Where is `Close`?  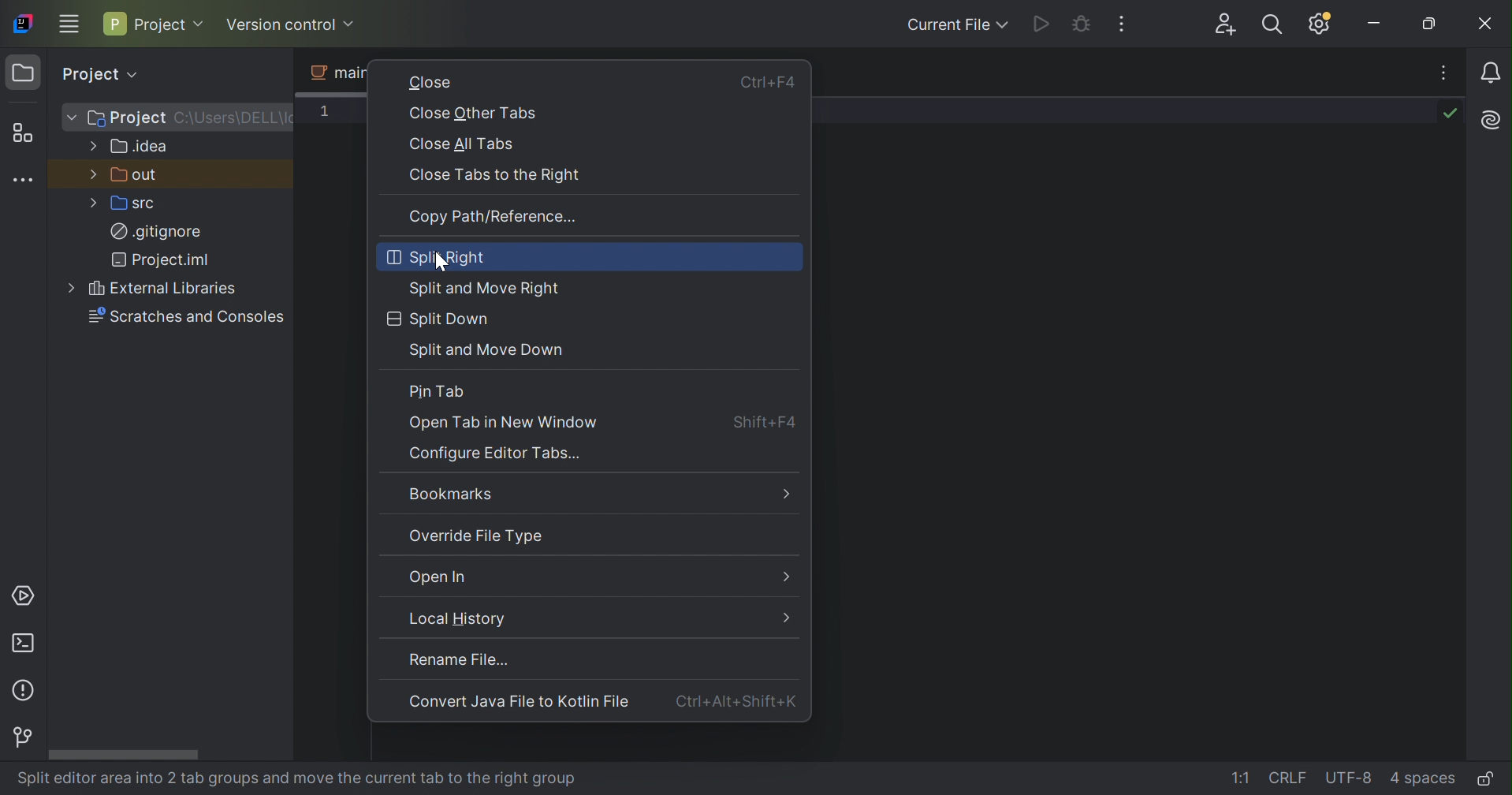 Close is located at coordinates (1482, 25).